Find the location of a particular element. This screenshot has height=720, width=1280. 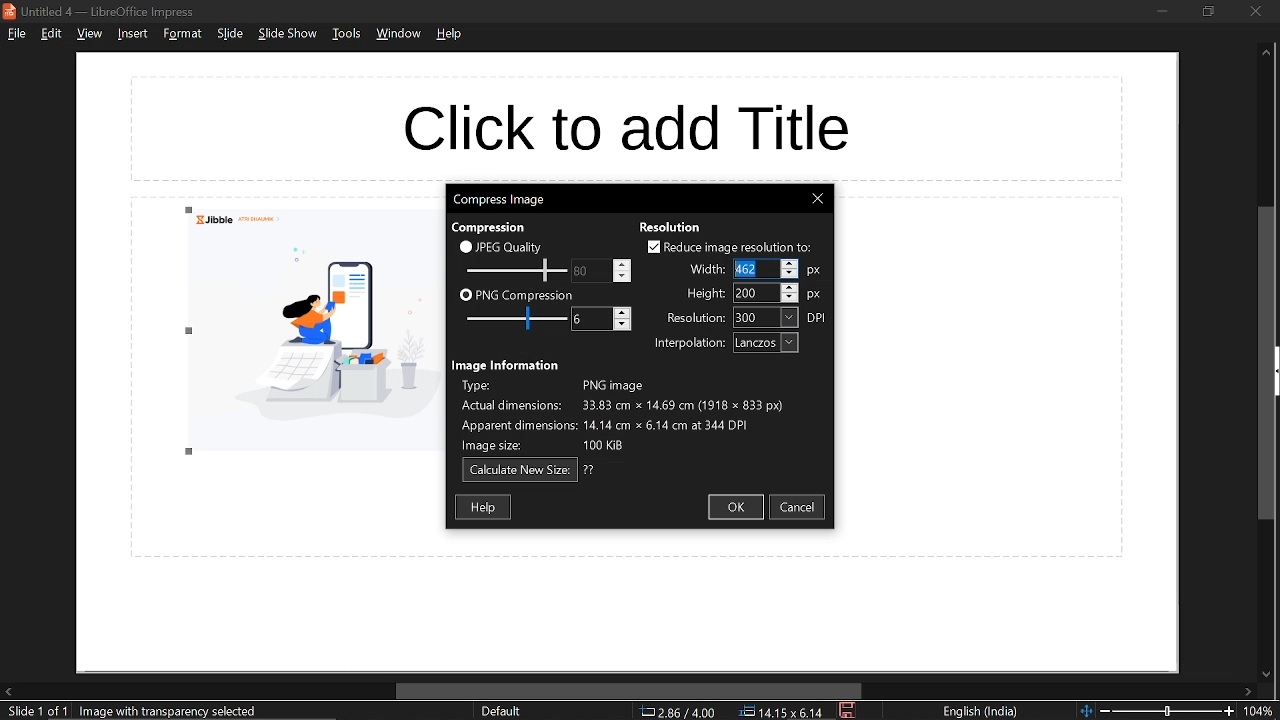

PNG compression is located at coordinates (516, 296).